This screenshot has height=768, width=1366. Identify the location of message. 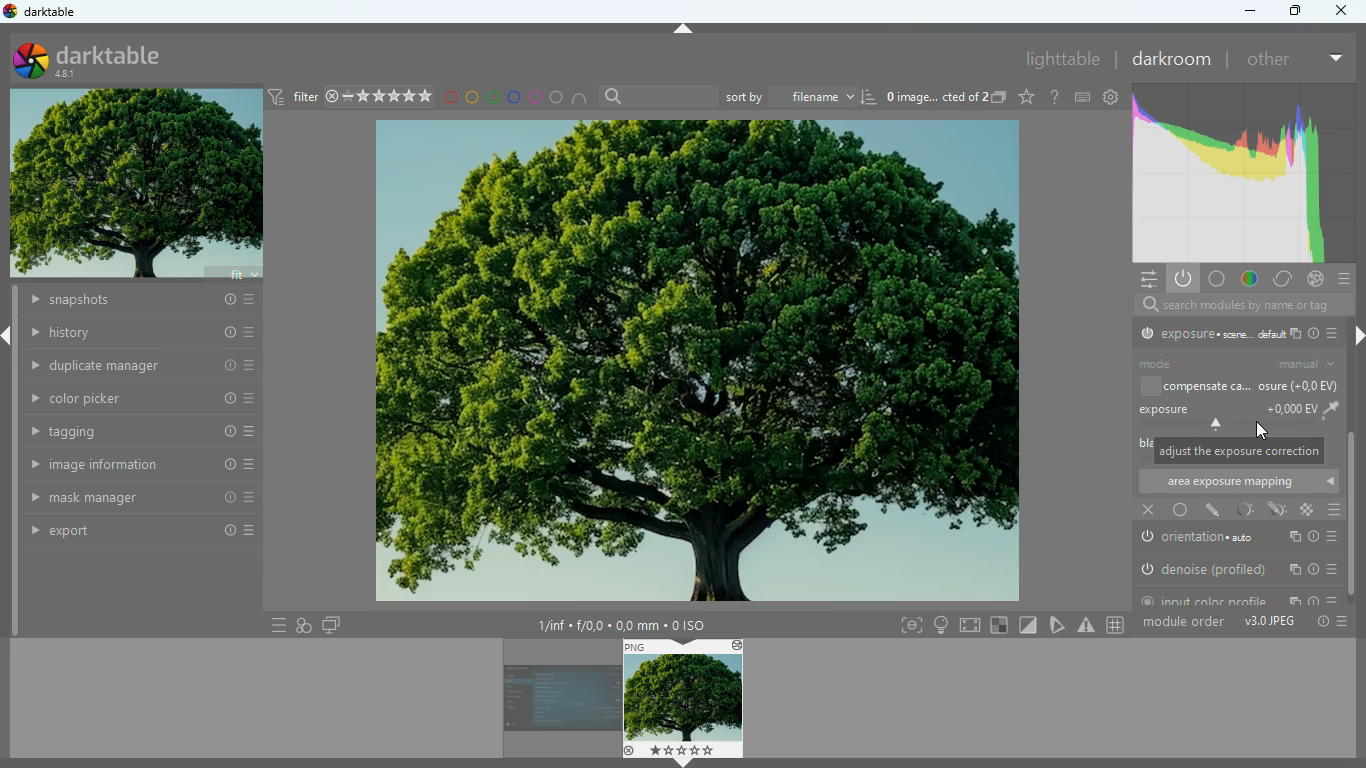
(1236, 451).